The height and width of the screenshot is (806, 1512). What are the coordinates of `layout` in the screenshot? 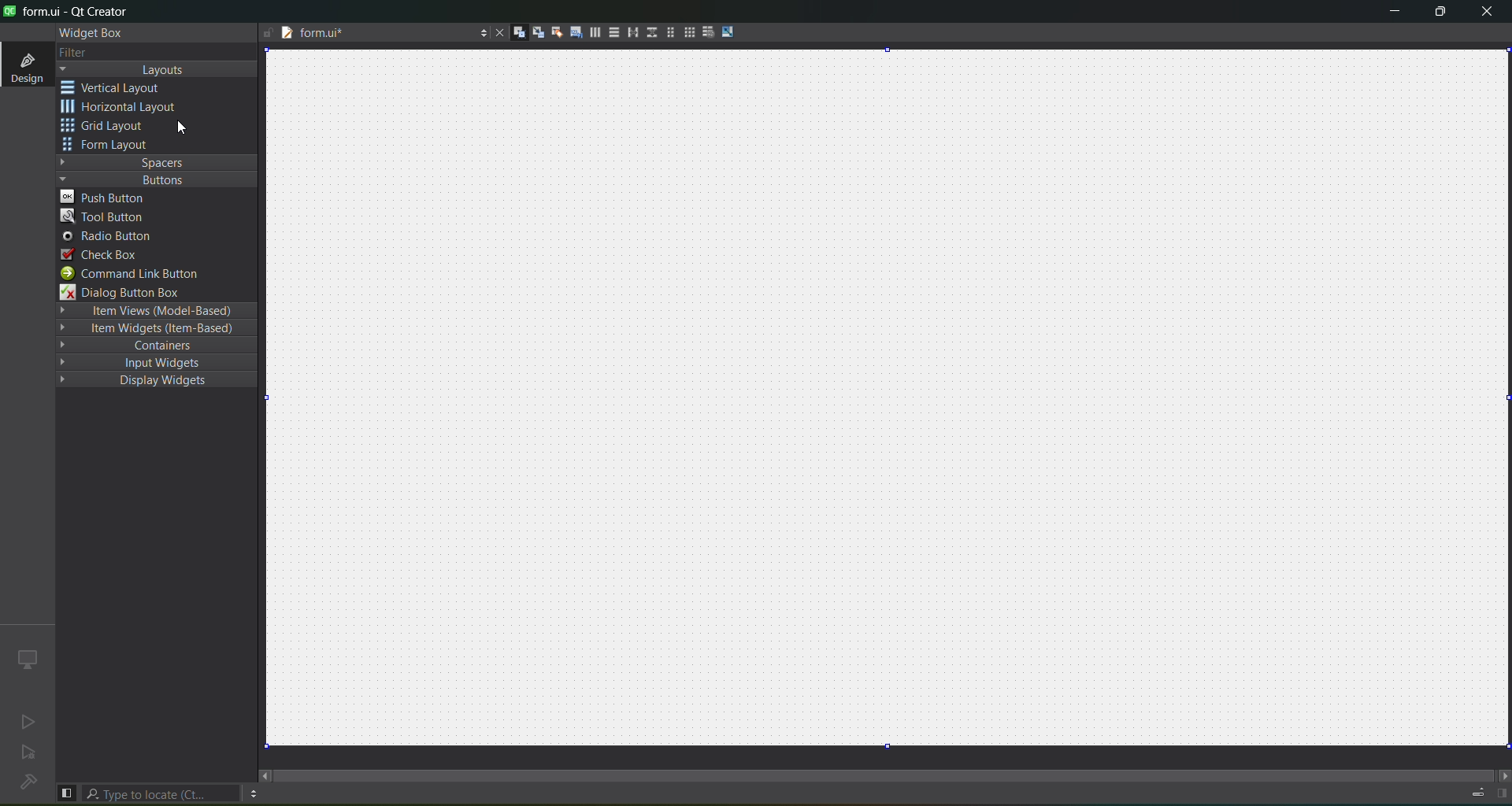 It's located at (160, 70).